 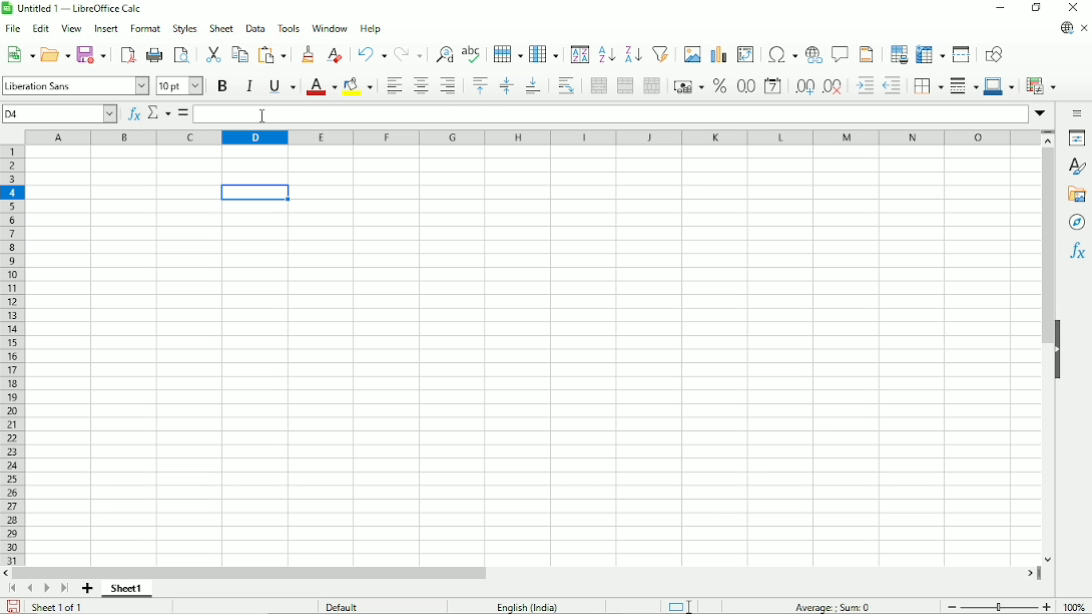 I want to click on Insert or edit pivot table, so click(x=745, y=55).